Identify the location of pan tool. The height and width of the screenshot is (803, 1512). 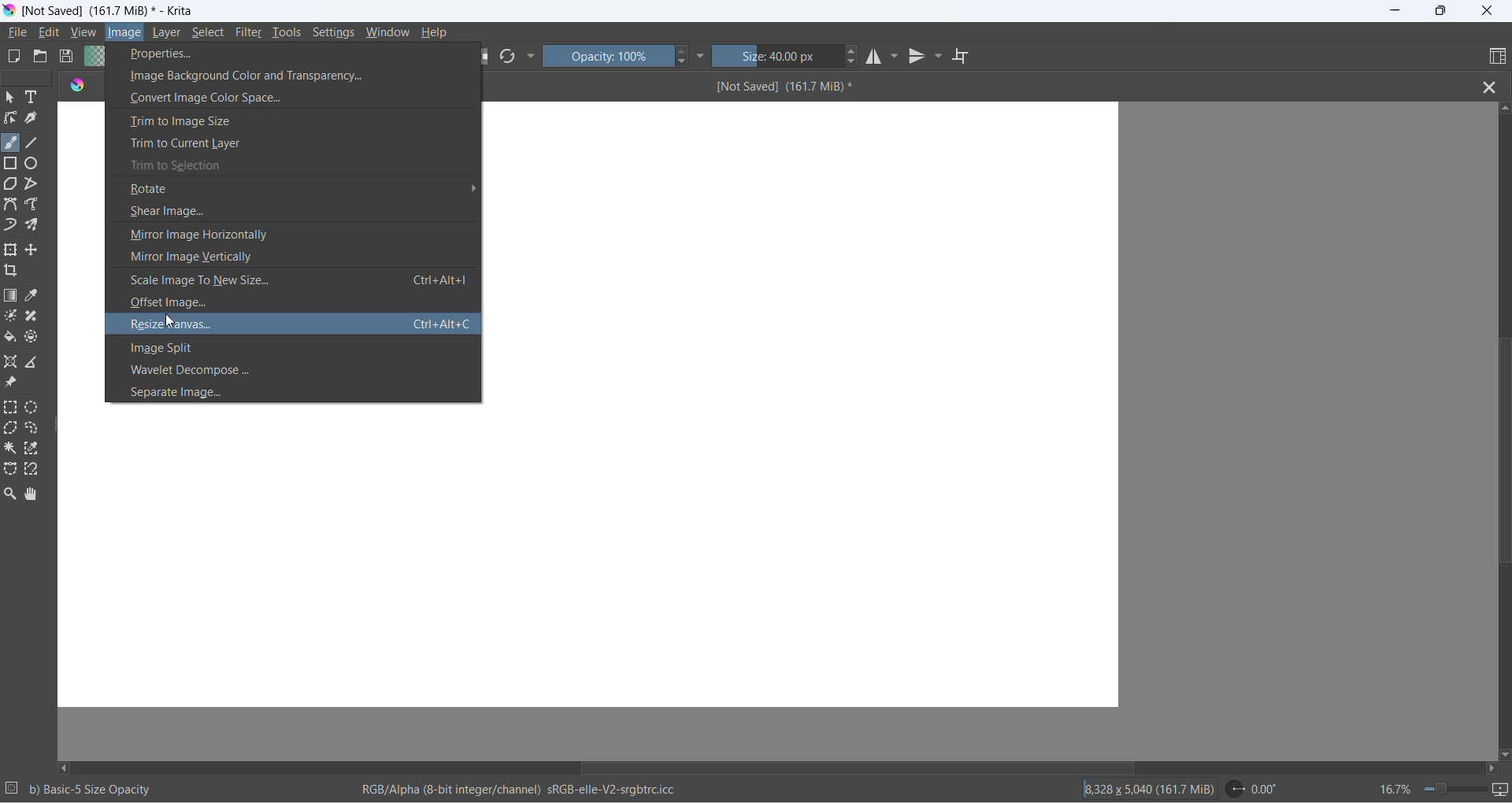
(31, 495).